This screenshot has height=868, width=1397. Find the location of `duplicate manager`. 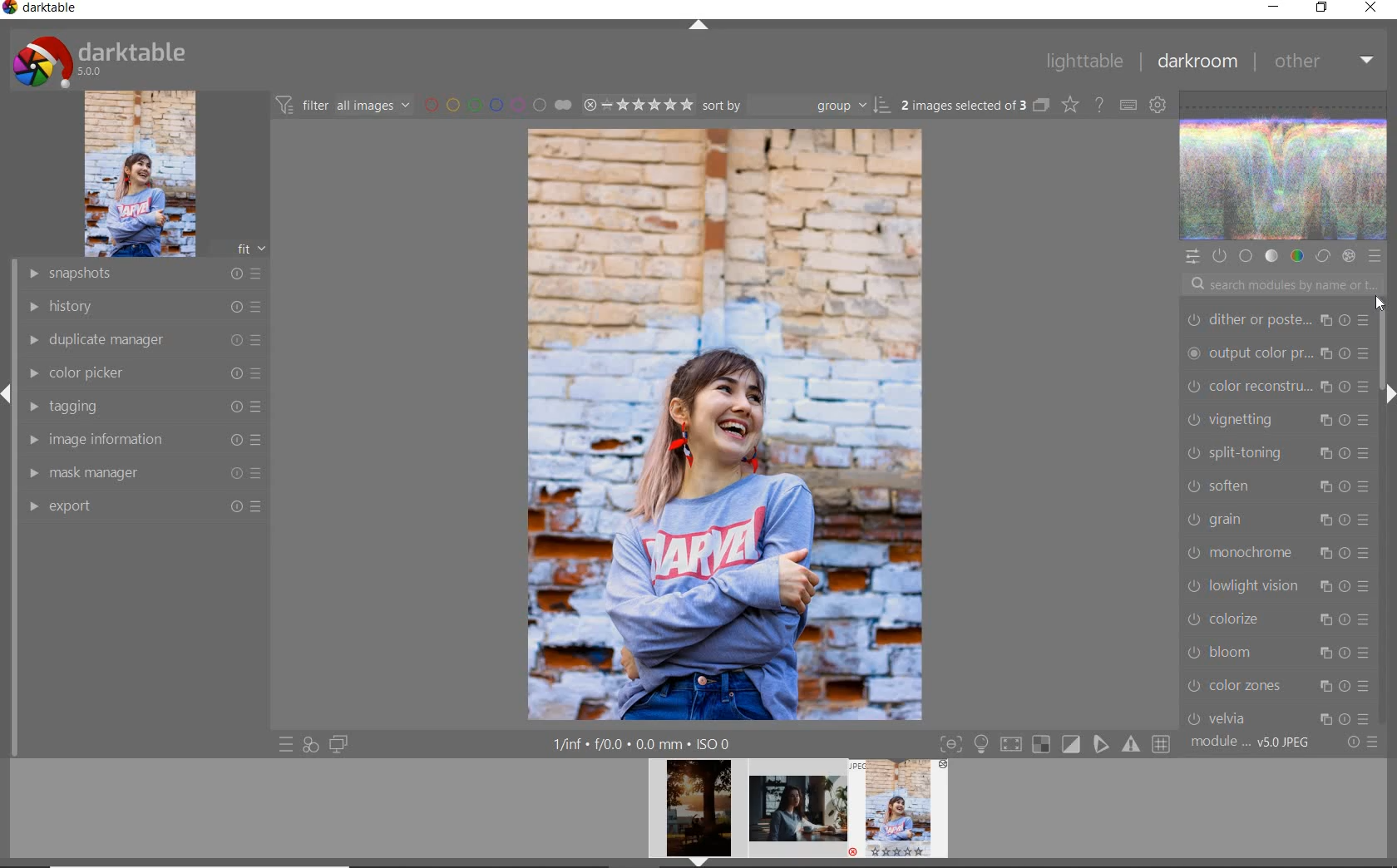

duplicate manager is located at coordinates (146, 340).